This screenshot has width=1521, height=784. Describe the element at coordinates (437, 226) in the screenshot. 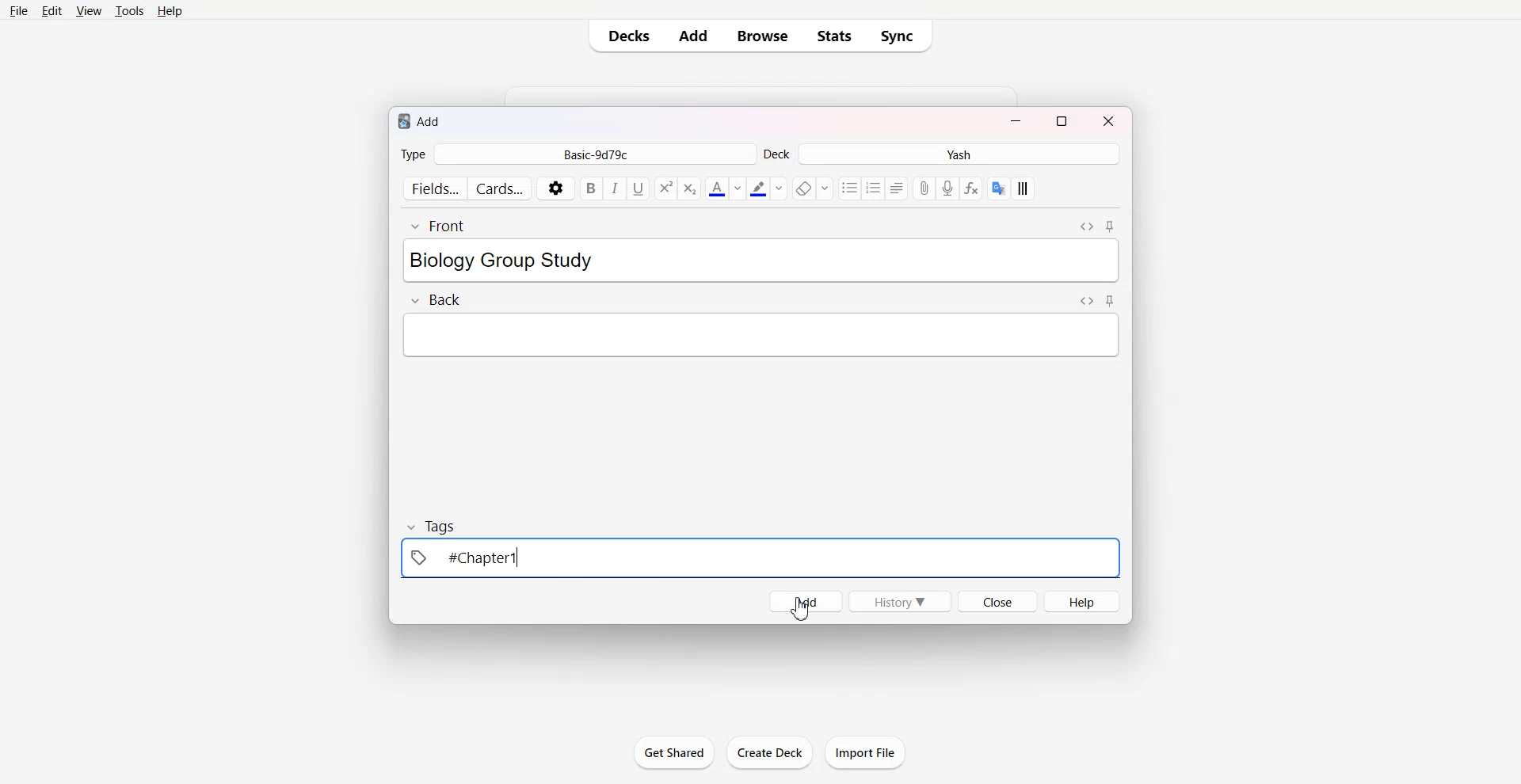

I see `Front` at that location.